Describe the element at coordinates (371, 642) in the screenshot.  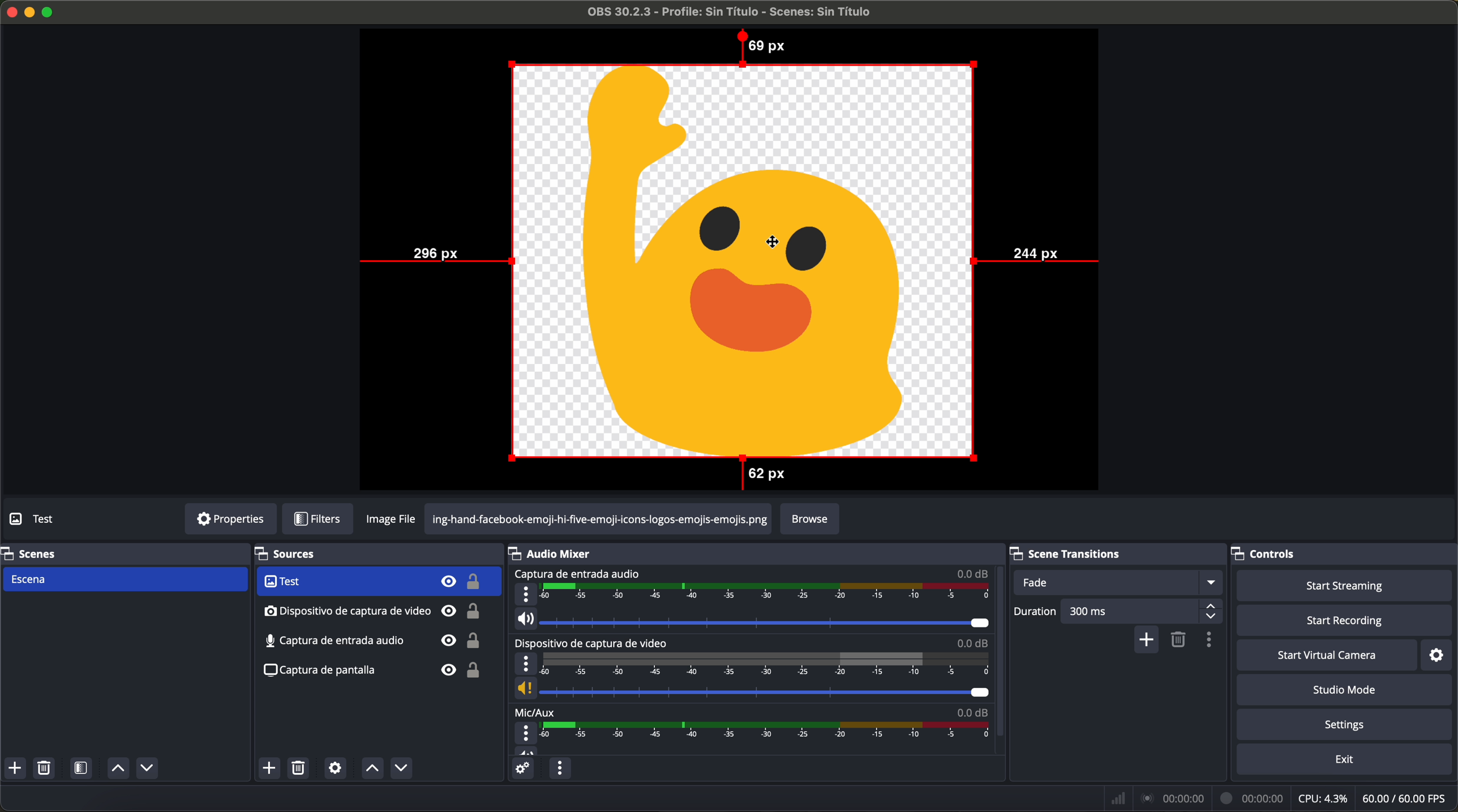
I see `screenshot` at that location.